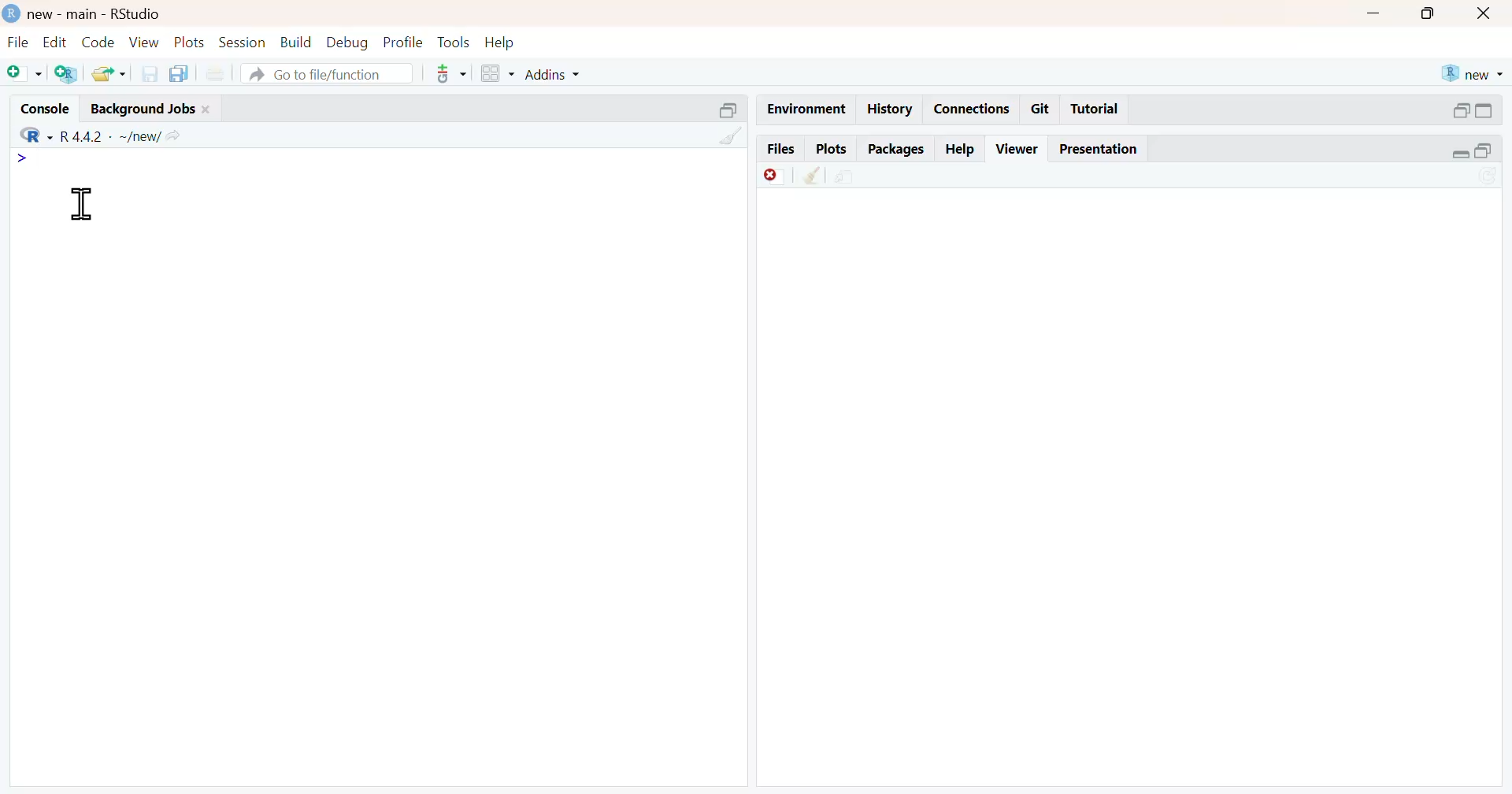  I want to click on expand, so click(1455, 154).